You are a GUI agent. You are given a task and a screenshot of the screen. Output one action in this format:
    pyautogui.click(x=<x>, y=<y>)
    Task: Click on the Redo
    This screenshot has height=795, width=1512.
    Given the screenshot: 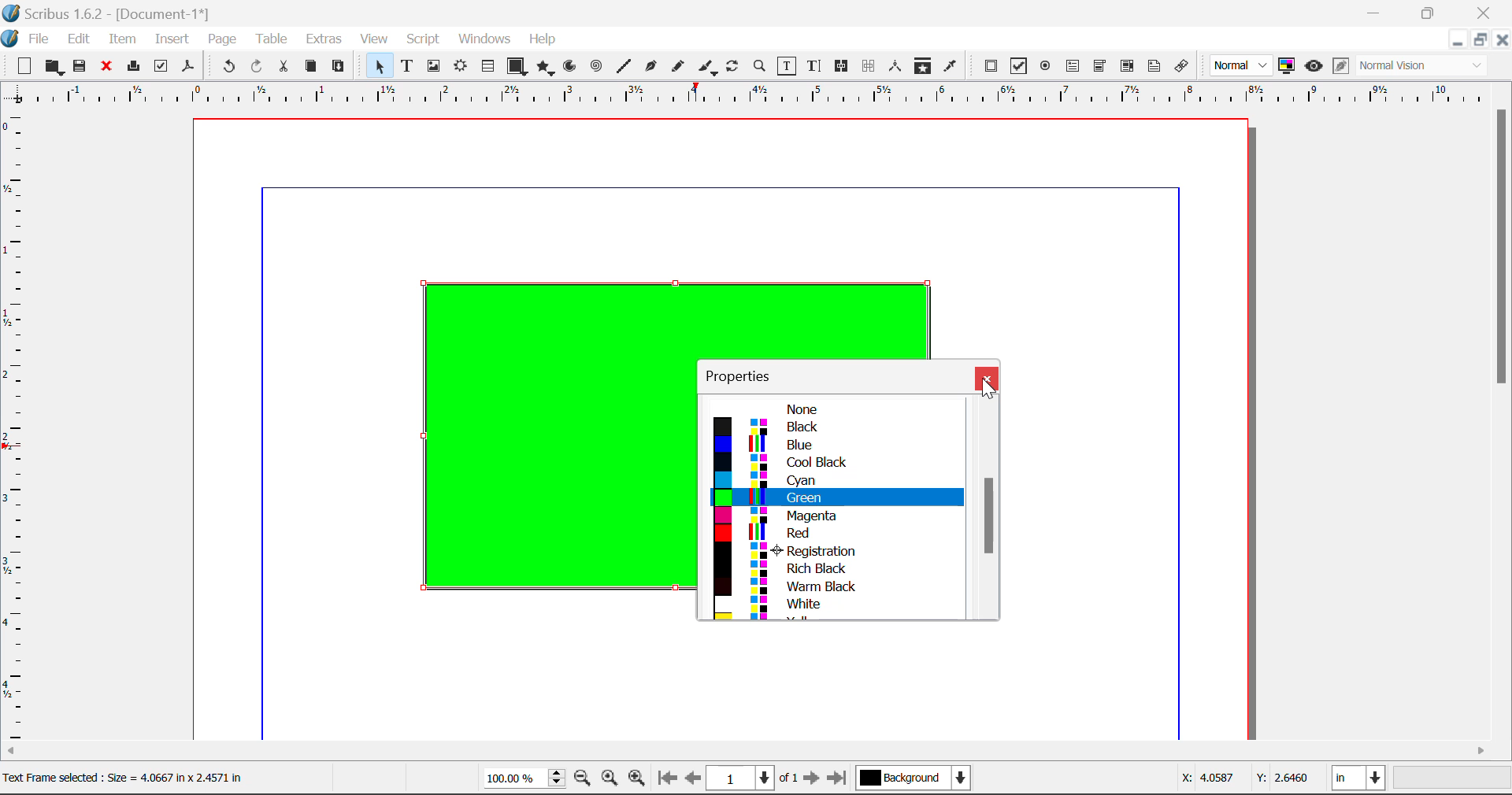 What is the action you would take?
    pyautogui.click(x=260, y=67)
    